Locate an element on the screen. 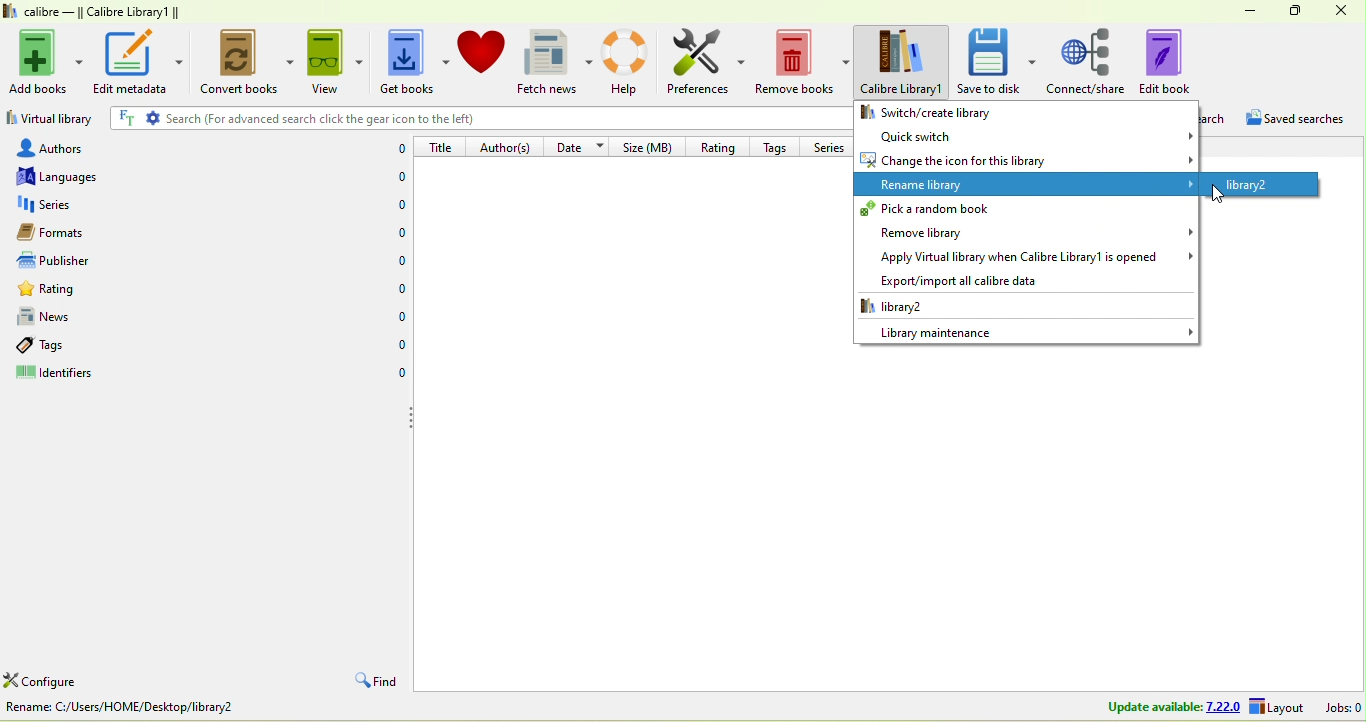 The width and height of the screenshot is (1366, 722). 0 is located at coordinates (398, 235).